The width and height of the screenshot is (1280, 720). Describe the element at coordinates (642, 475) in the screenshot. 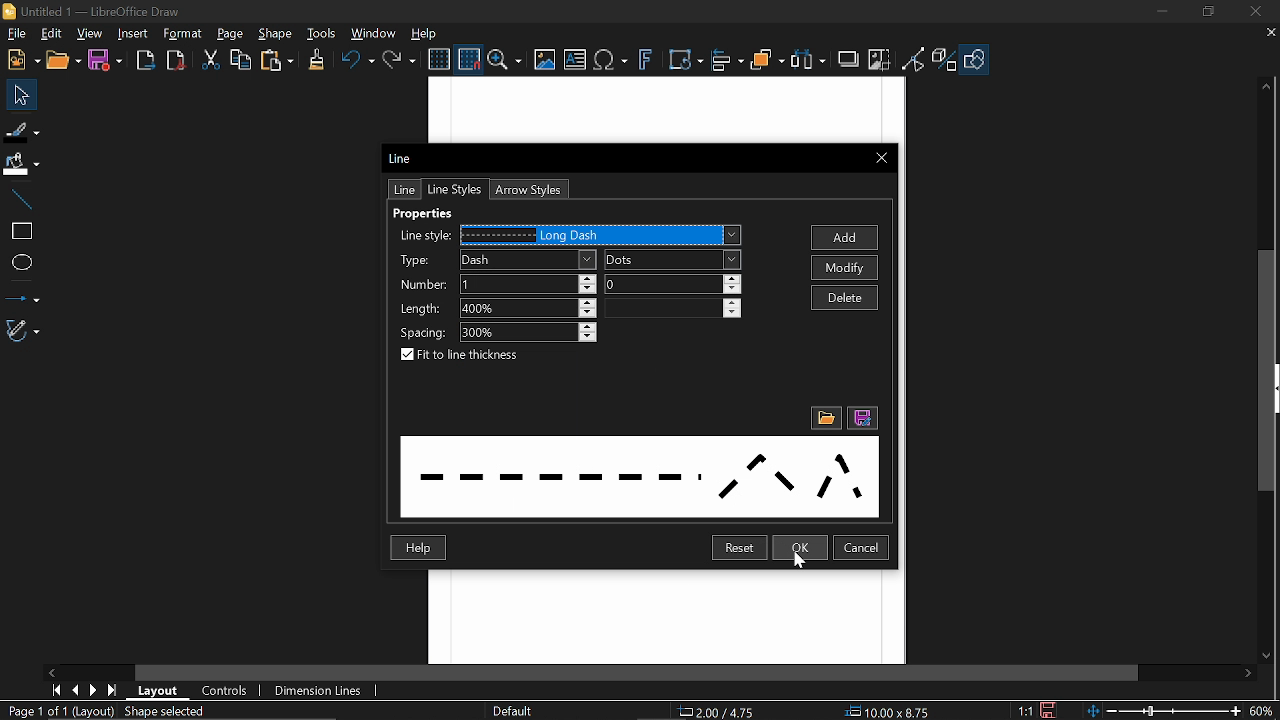

I see `dotted lines` at that location.